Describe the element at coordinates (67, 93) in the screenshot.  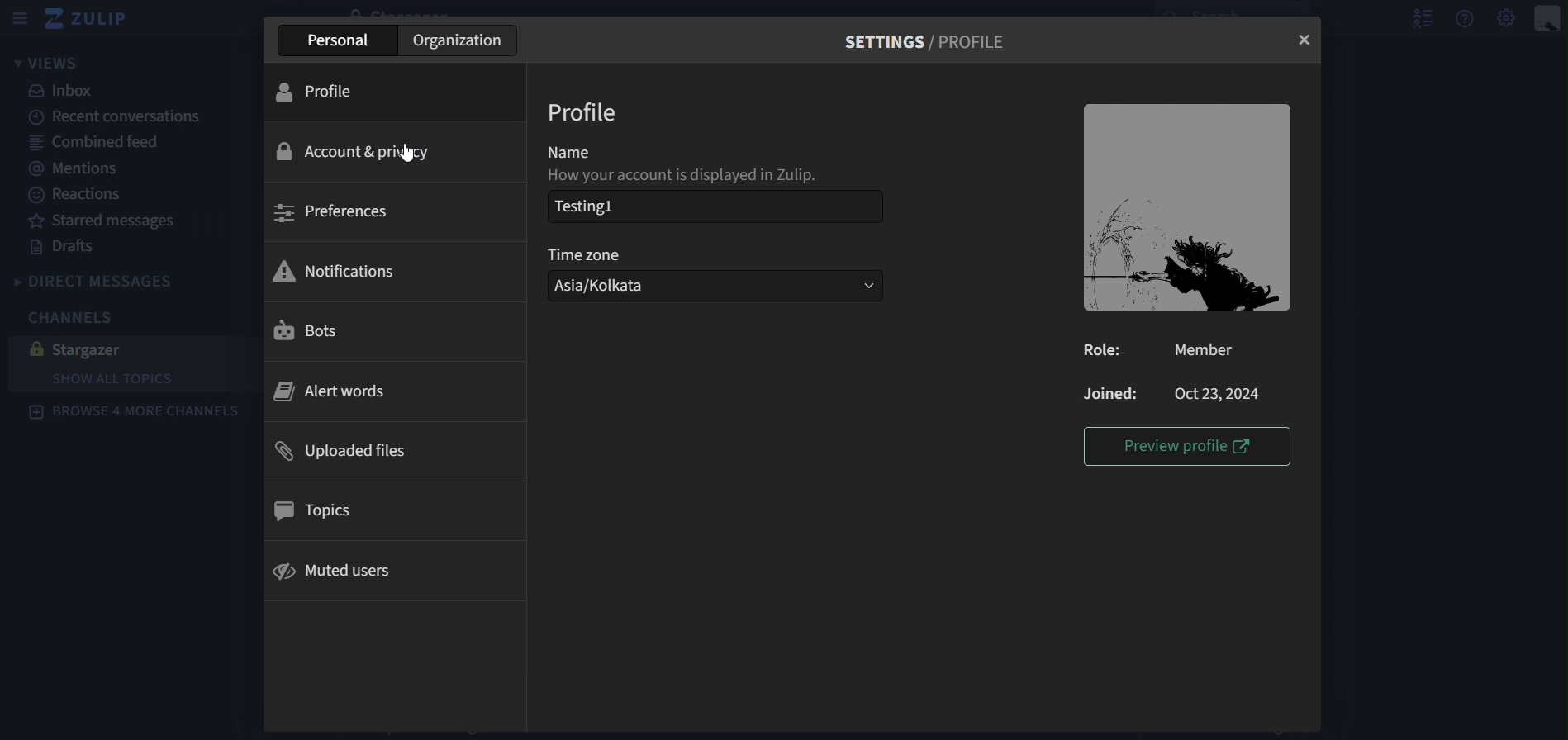
I see `inbox` at that location.